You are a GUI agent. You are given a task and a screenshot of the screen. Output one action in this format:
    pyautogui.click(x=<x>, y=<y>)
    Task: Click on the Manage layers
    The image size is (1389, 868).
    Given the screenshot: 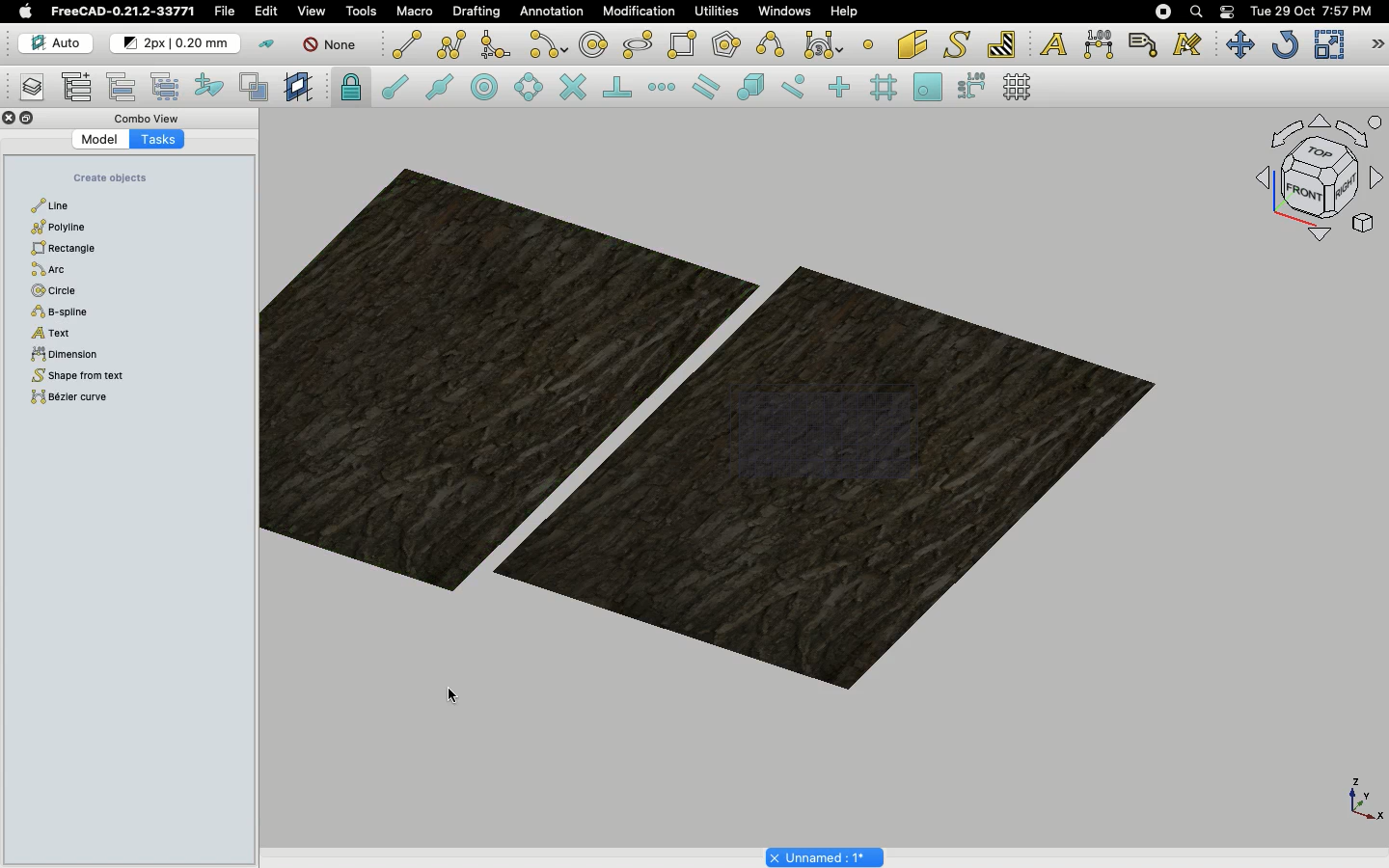 What is the action you would take?
    pyautogui.click(x=25, y=89)
    